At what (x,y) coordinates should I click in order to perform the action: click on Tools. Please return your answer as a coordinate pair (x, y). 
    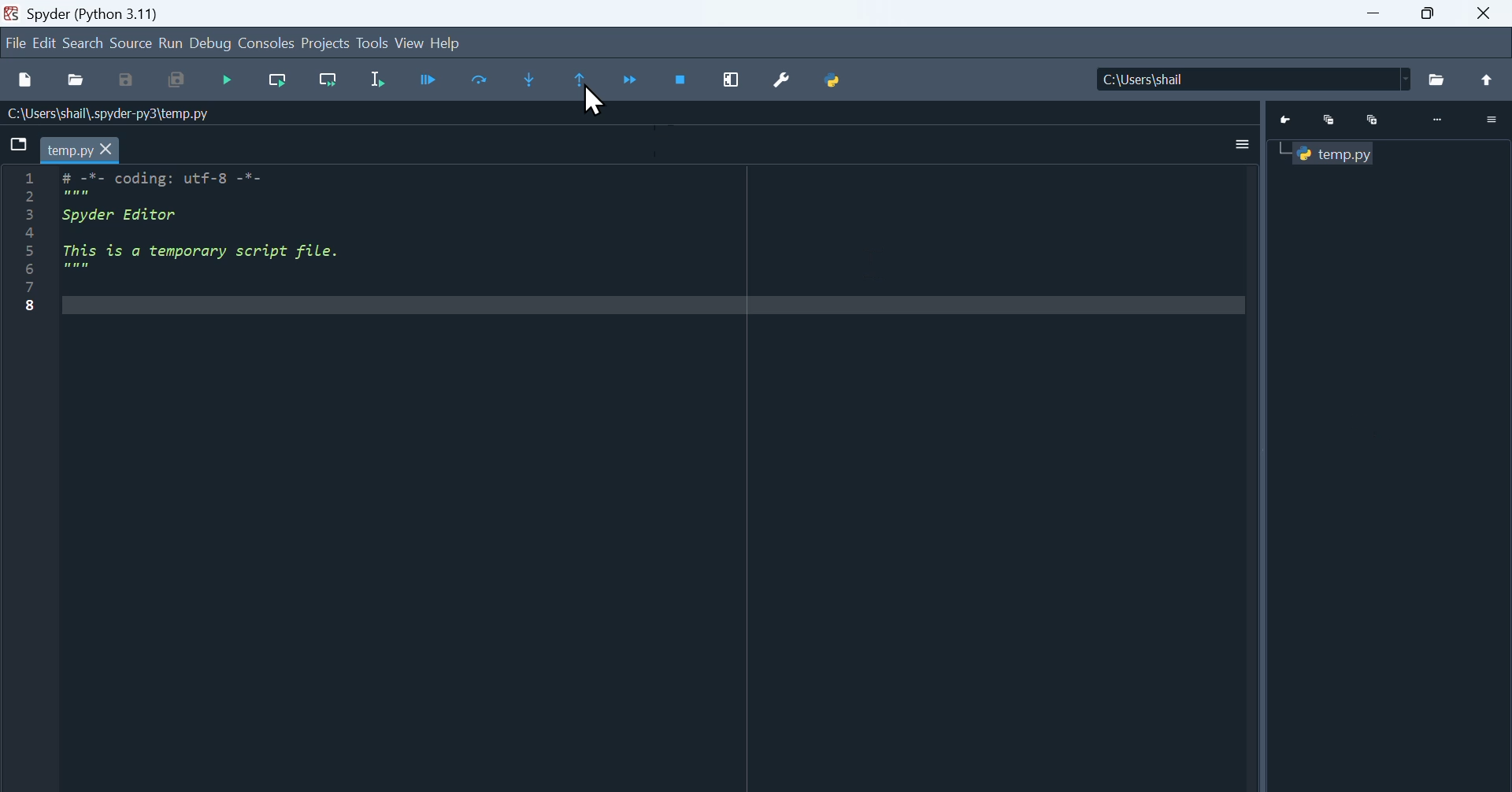
    Looking at the image, I should click on (373, 41).